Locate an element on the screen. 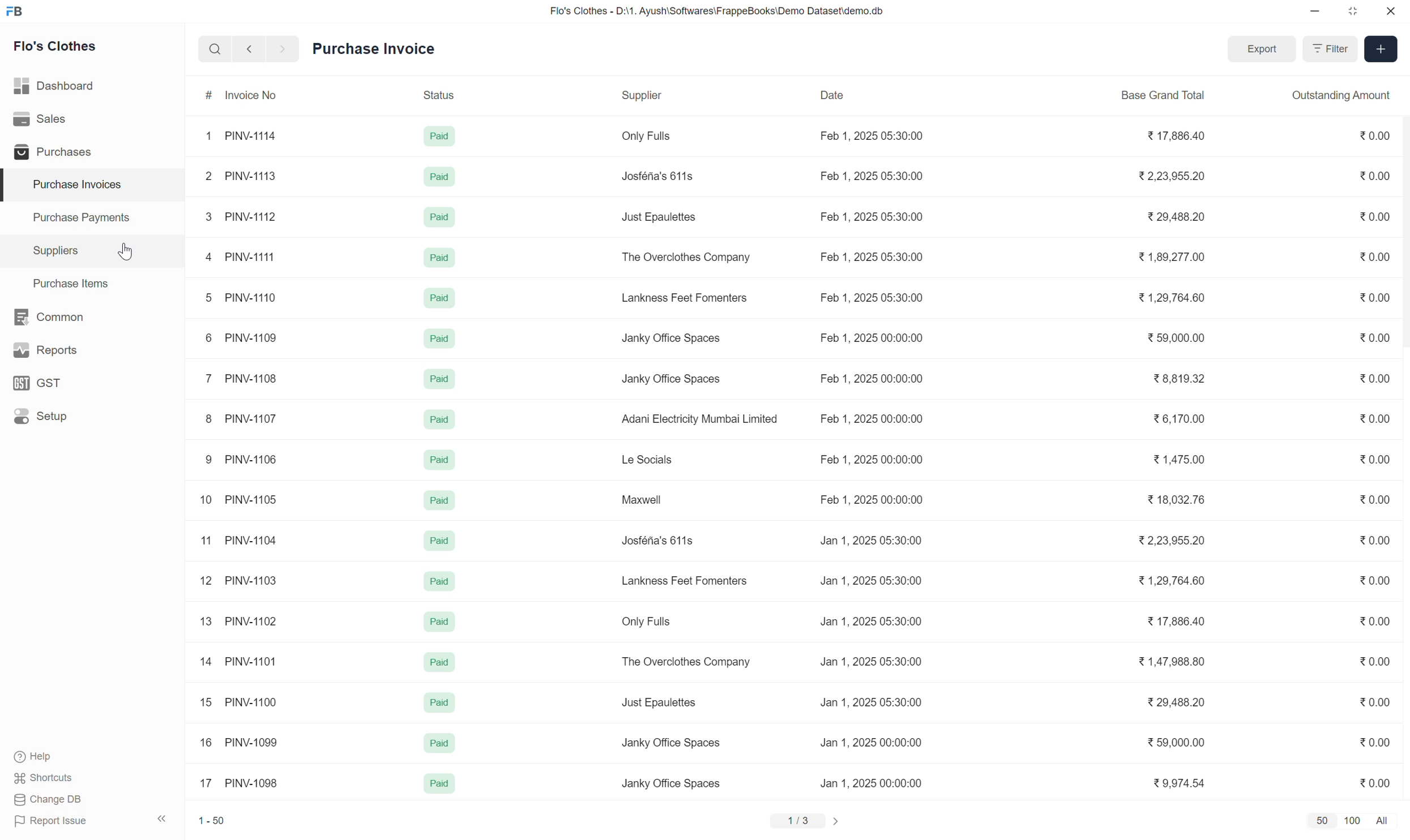  1,29,764.60 is located at coordinates (1171, 297).